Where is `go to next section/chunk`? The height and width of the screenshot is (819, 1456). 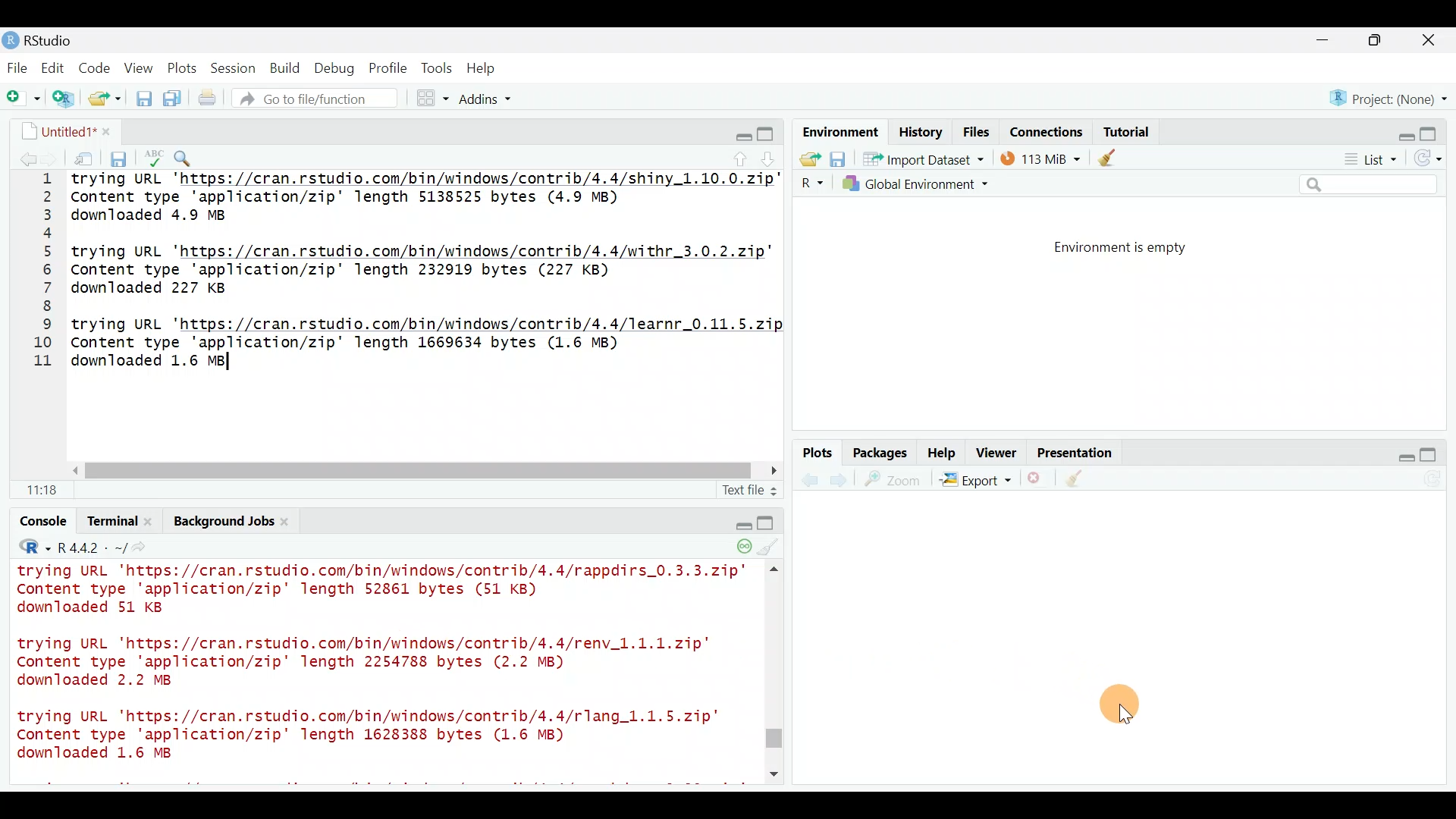
go to next section/chunk is located at coordinates (770, 156).